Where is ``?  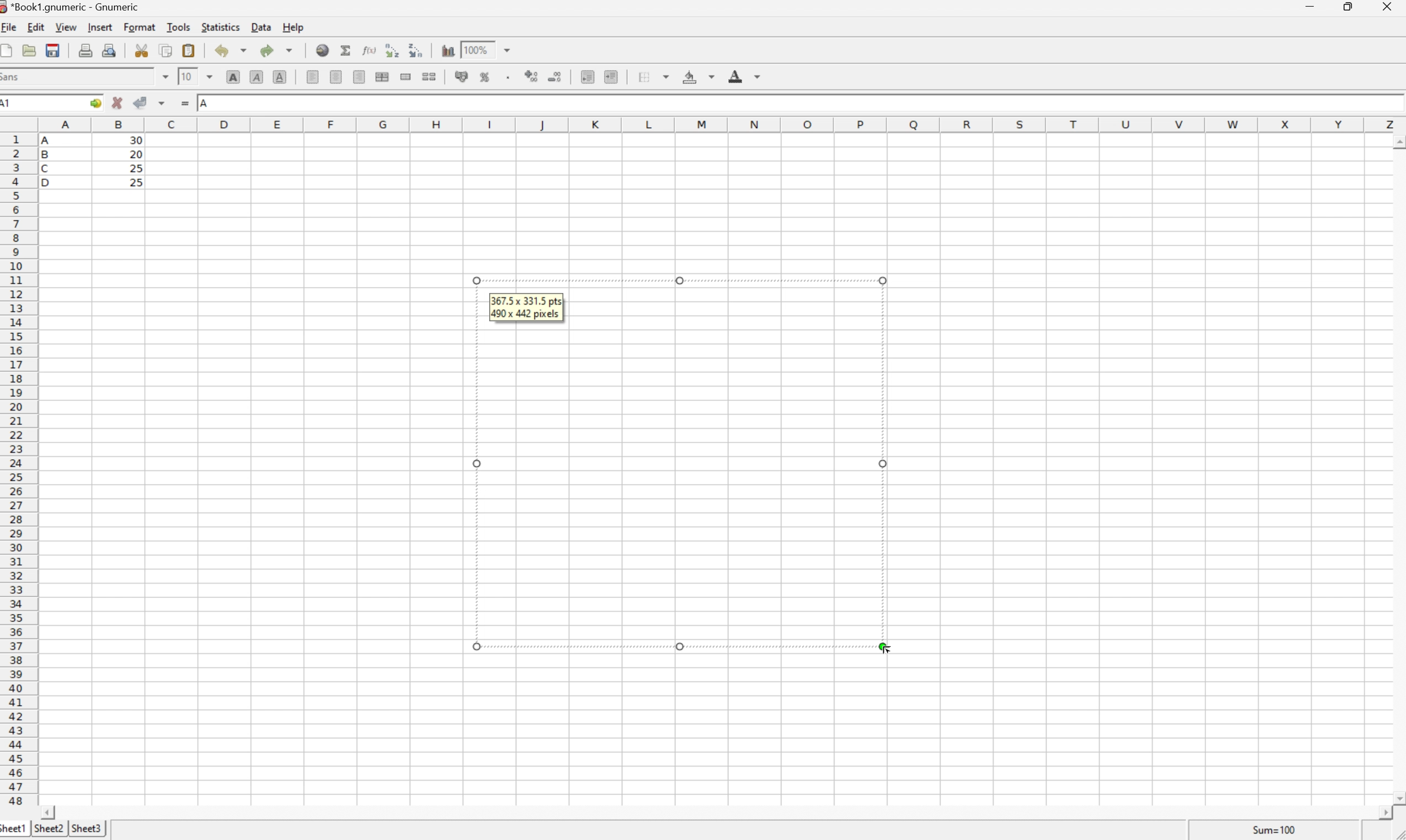
 is located at coordinates (476, 281).